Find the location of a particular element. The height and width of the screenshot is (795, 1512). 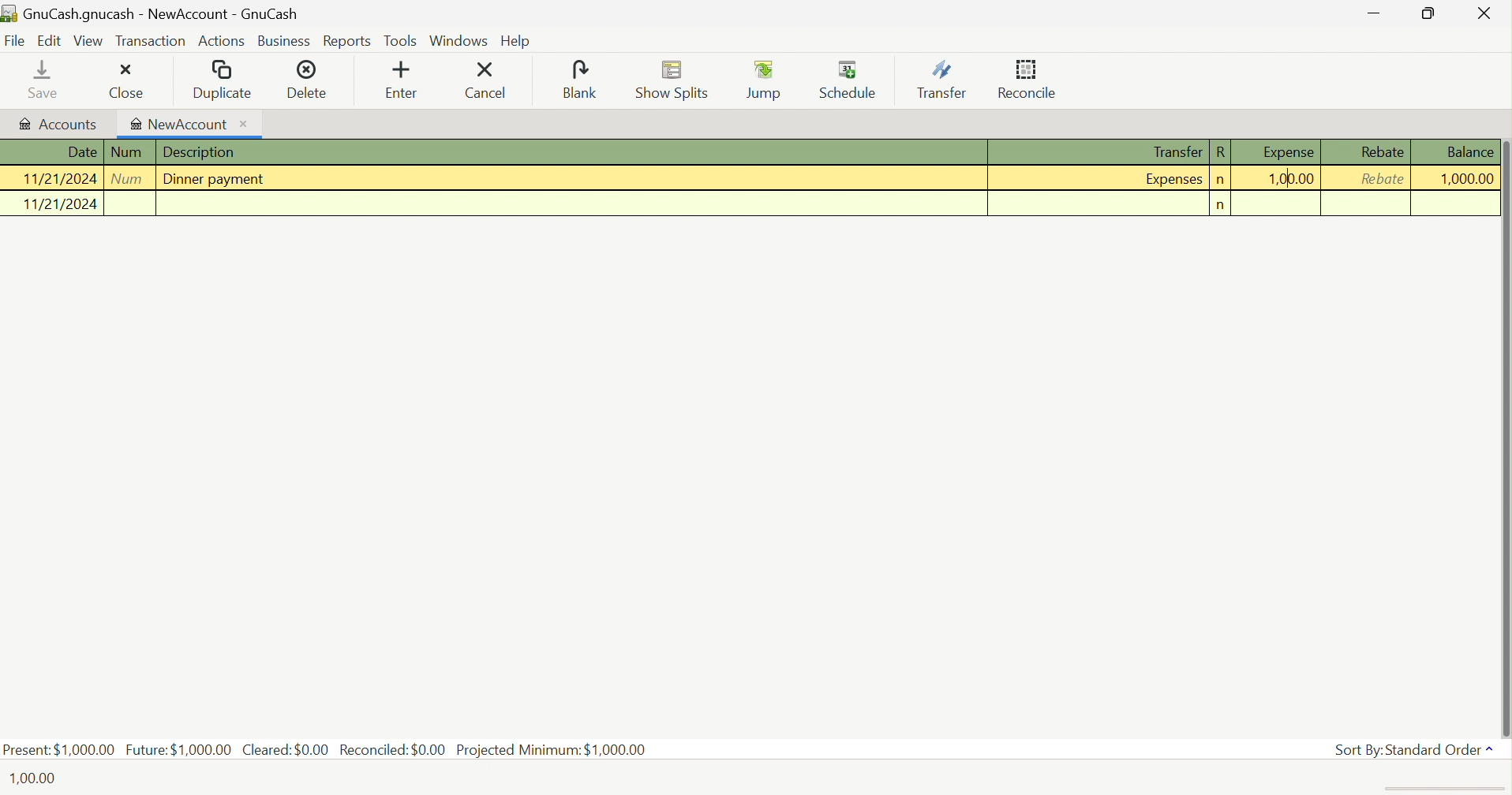

n is located at coordinates (1221, 180).